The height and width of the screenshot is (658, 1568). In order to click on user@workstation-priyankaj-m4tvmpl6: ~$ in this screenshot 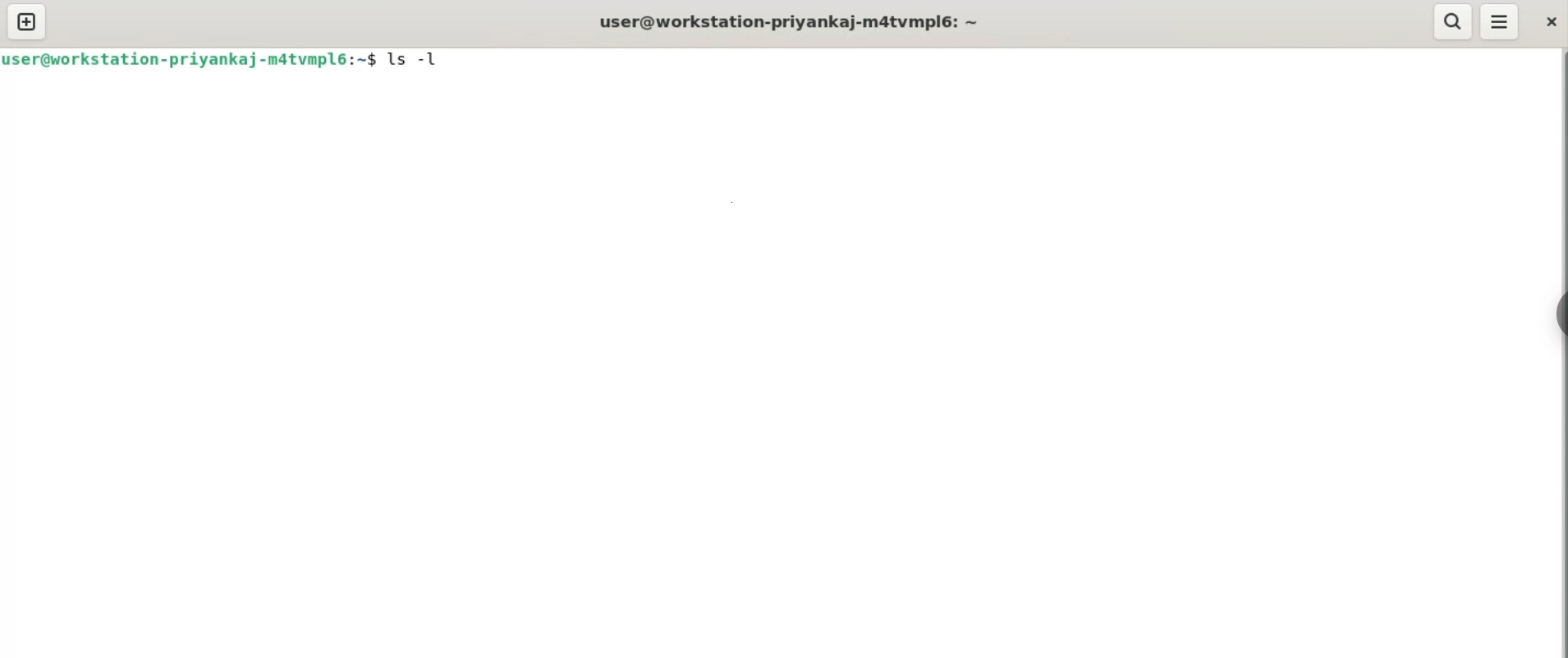, I will do `click(190, 59)`.